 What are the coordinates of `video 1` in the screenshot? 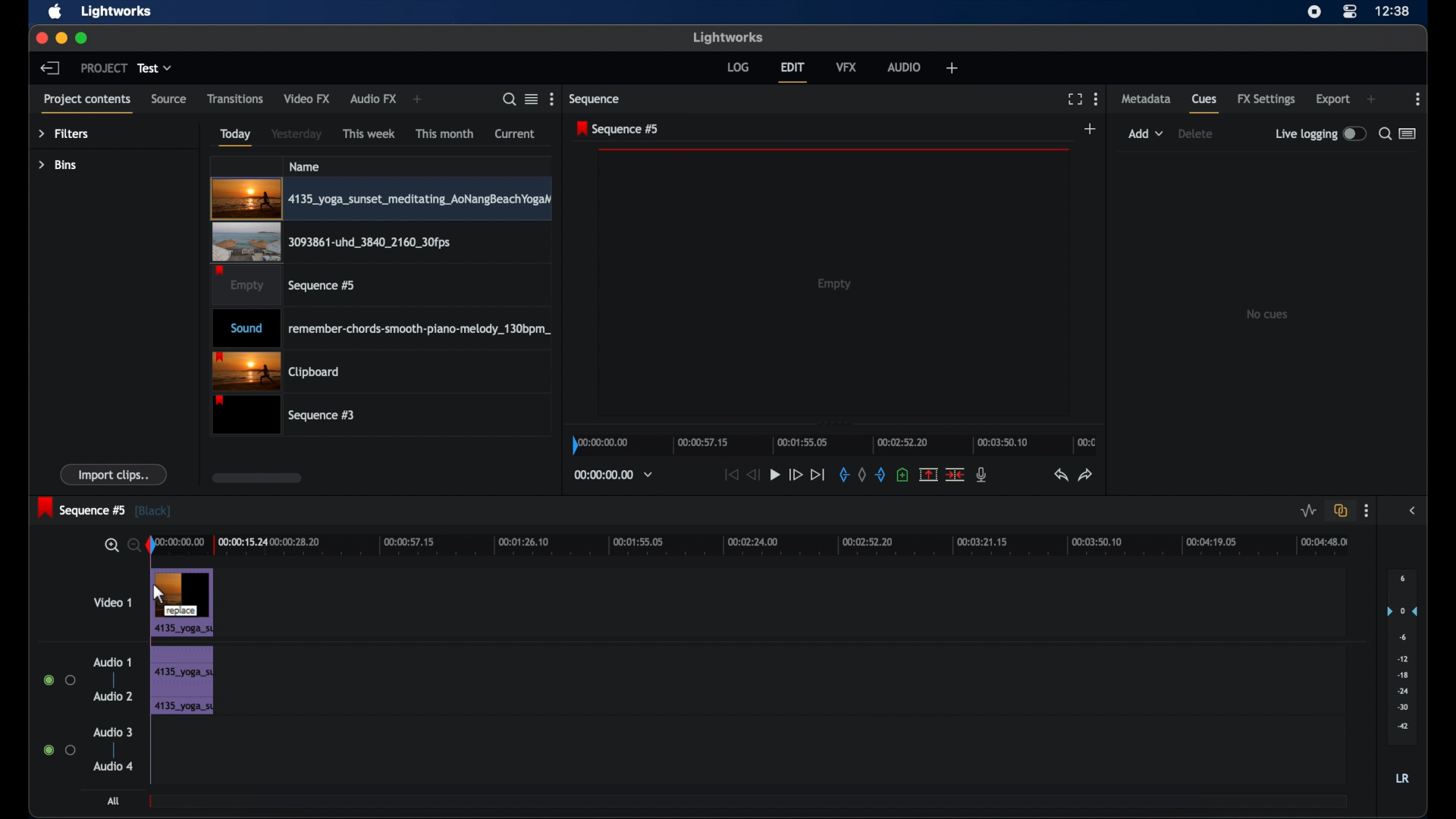 It's located at (114, 603).